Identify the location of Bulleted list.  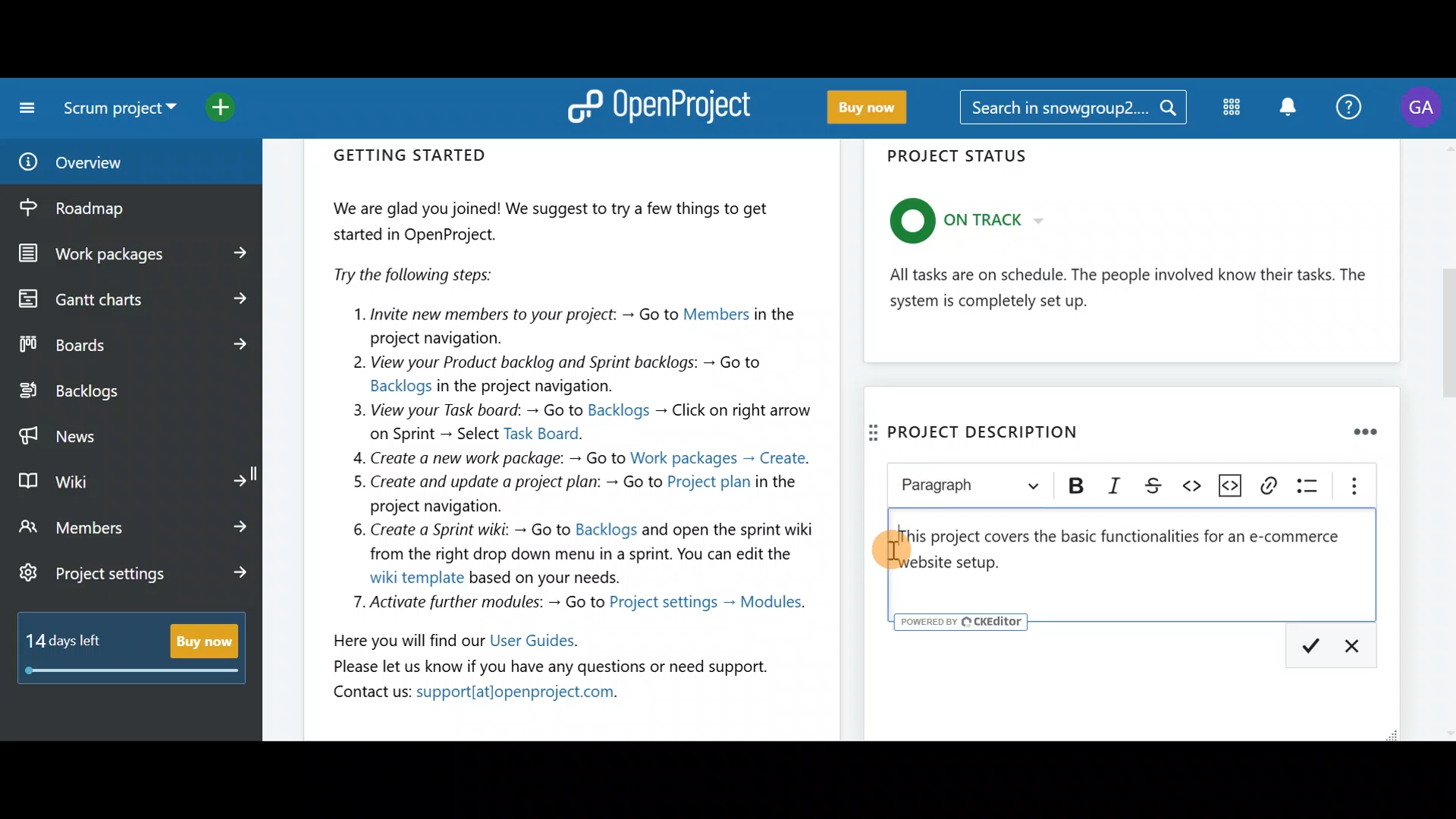
(1307, 486).